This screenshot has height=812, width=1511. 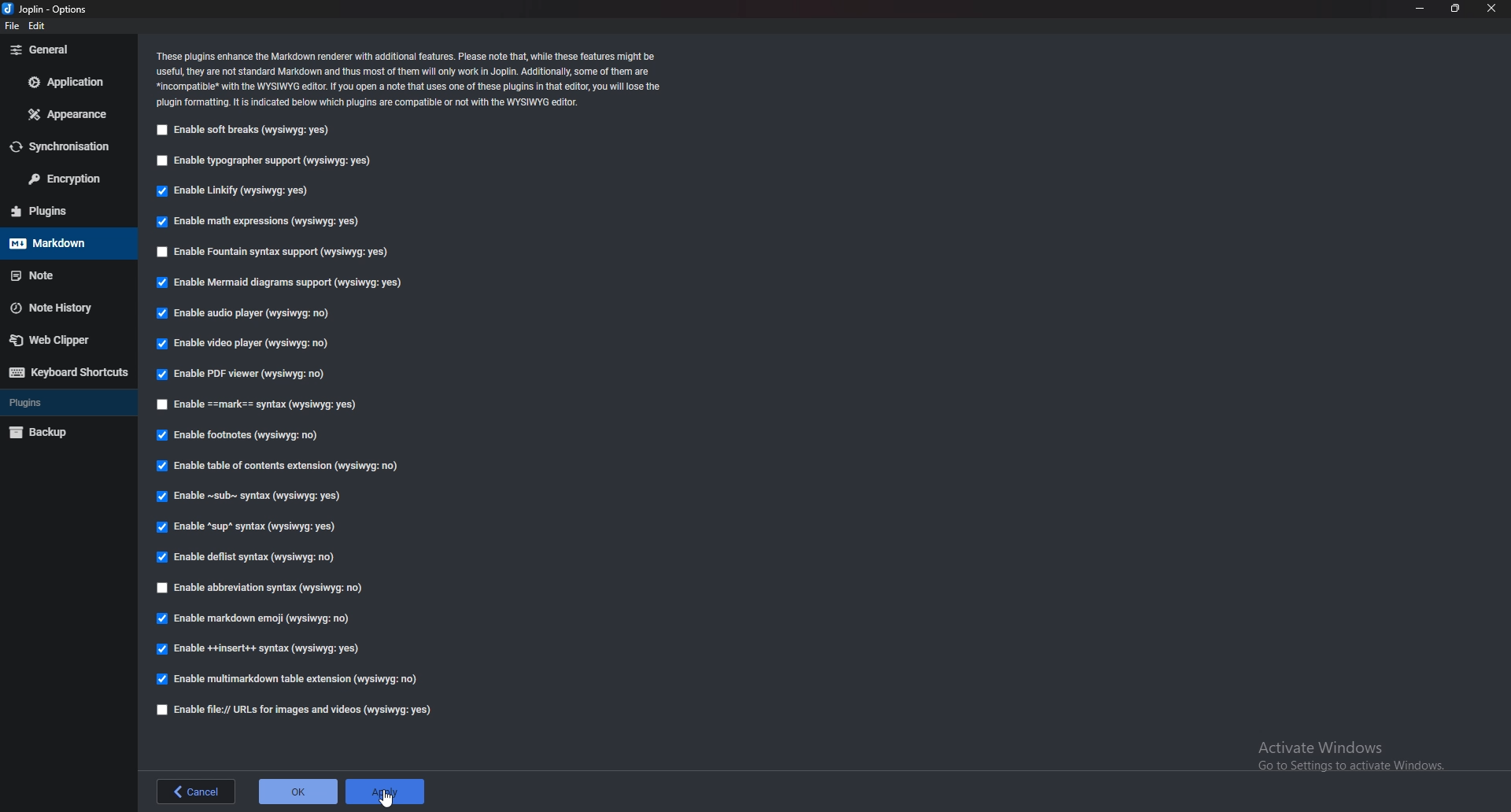 I want to click on Plugins, so click(x=61, y=404).